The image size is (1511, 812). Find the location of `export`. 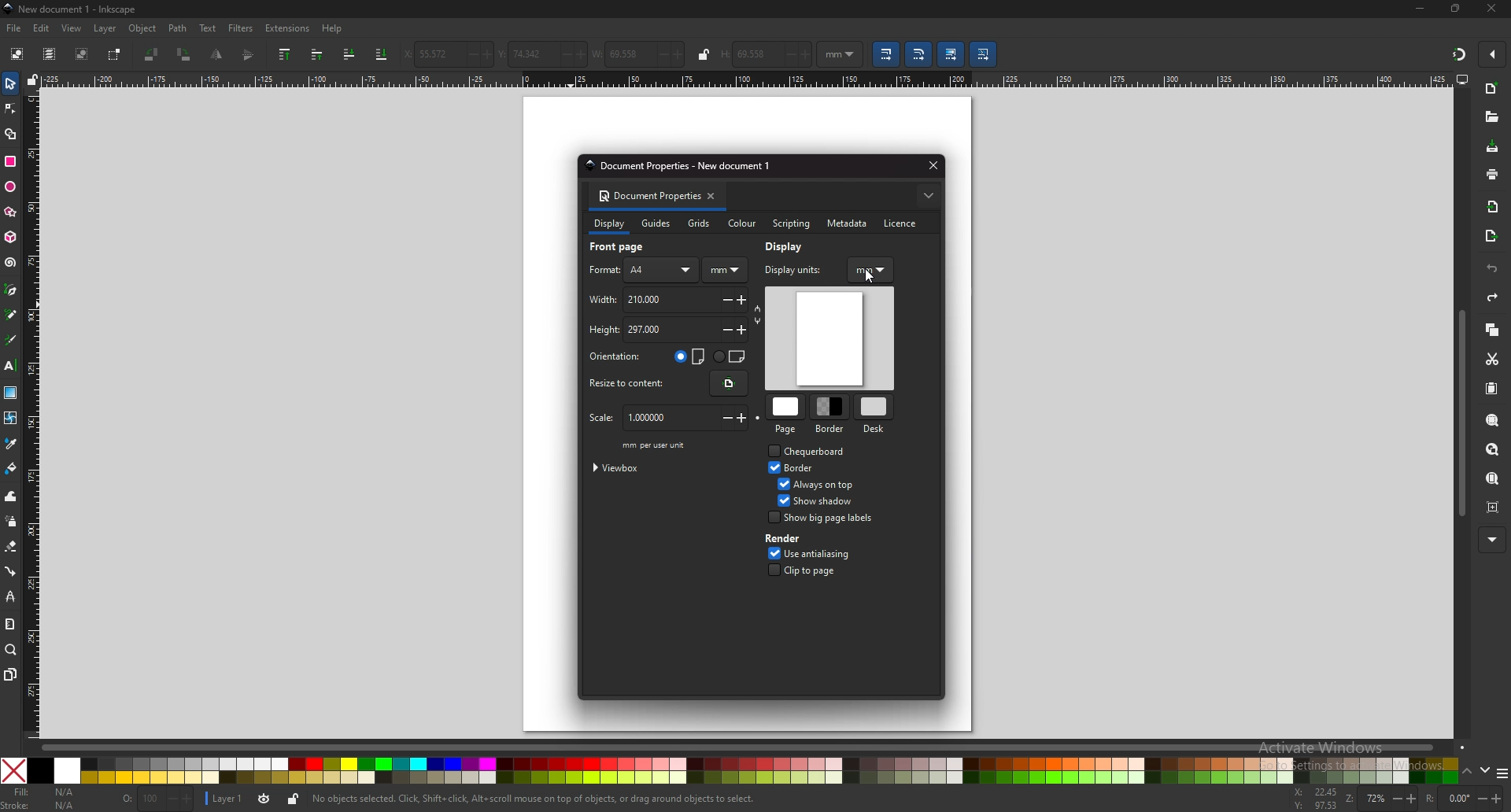

export is located at coordinates (1491, 236).